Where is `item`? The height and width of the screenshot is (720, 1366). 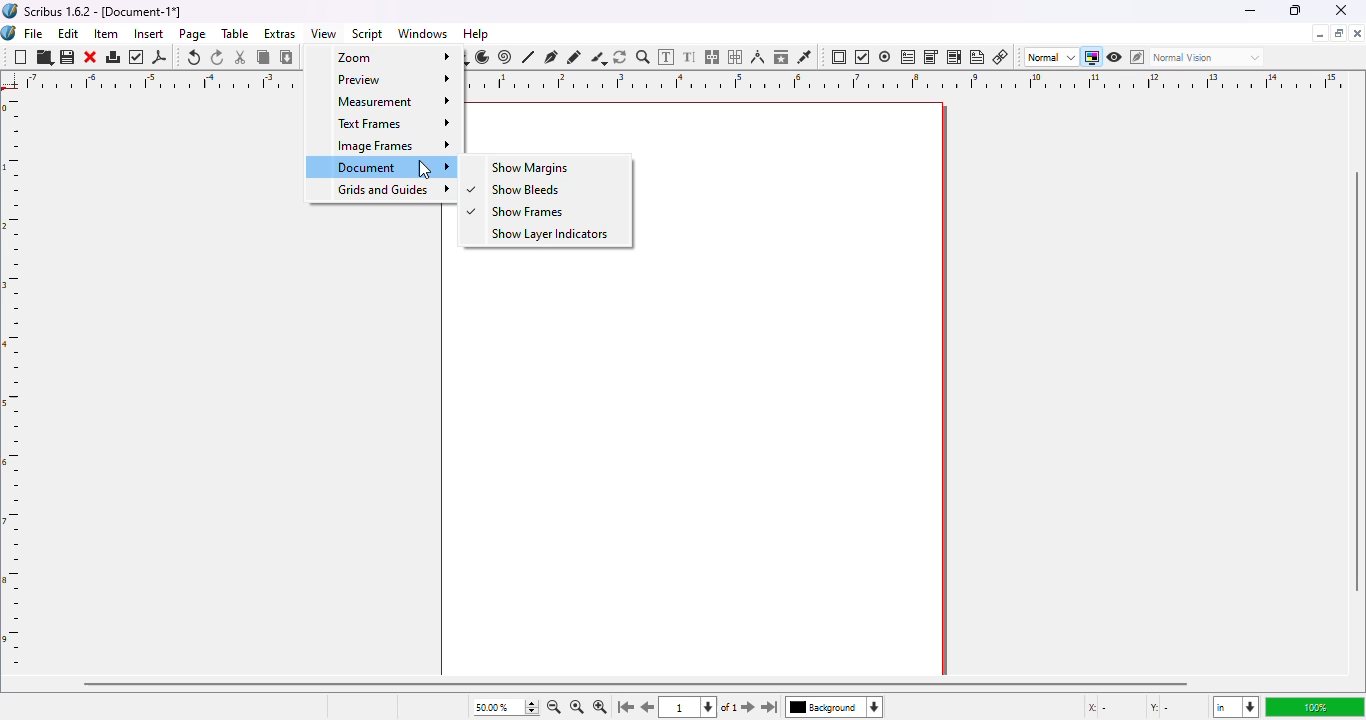 item is located at coordinates (107, 34).